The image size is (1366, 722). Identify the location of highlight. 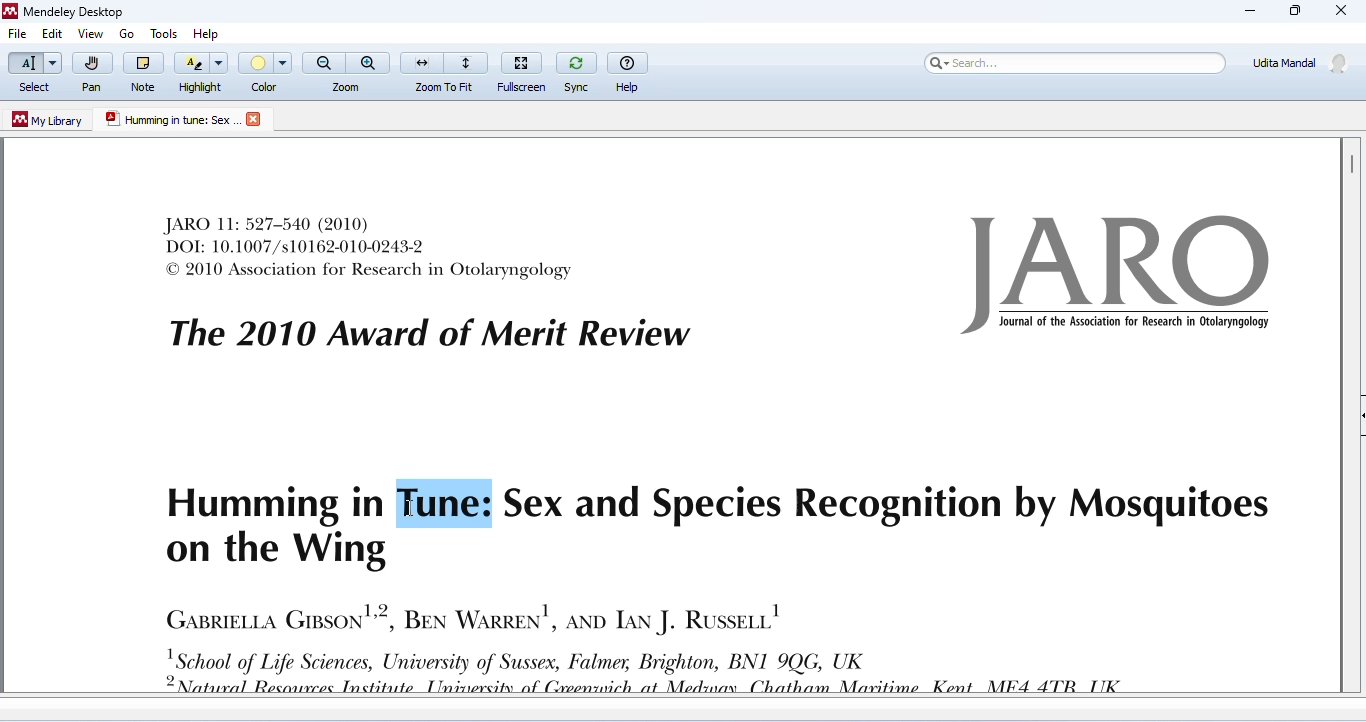
(202, 71).